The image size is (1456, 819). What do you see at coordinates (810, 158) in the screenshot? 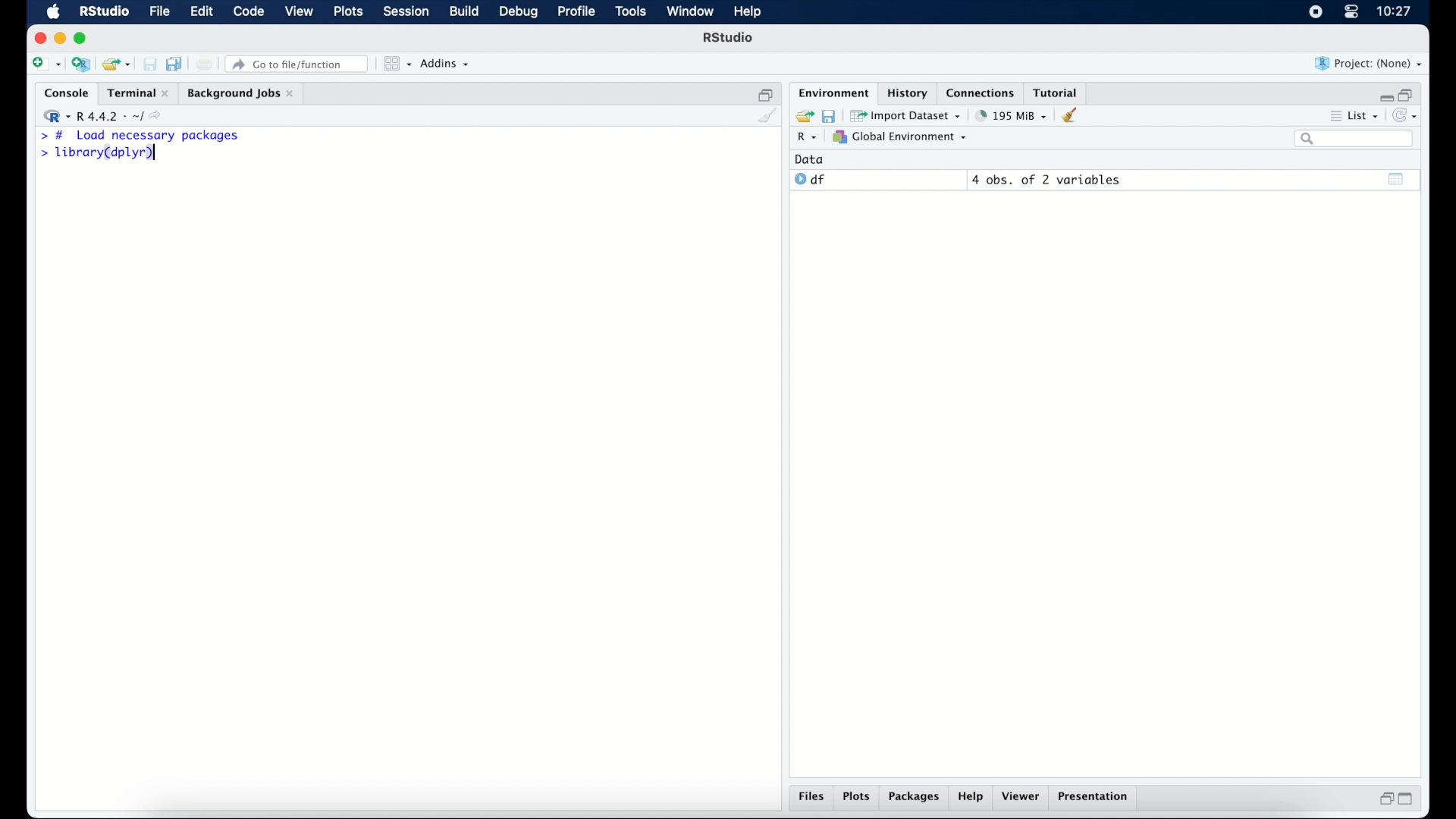
I see `date` at bounding box center [810, 158].